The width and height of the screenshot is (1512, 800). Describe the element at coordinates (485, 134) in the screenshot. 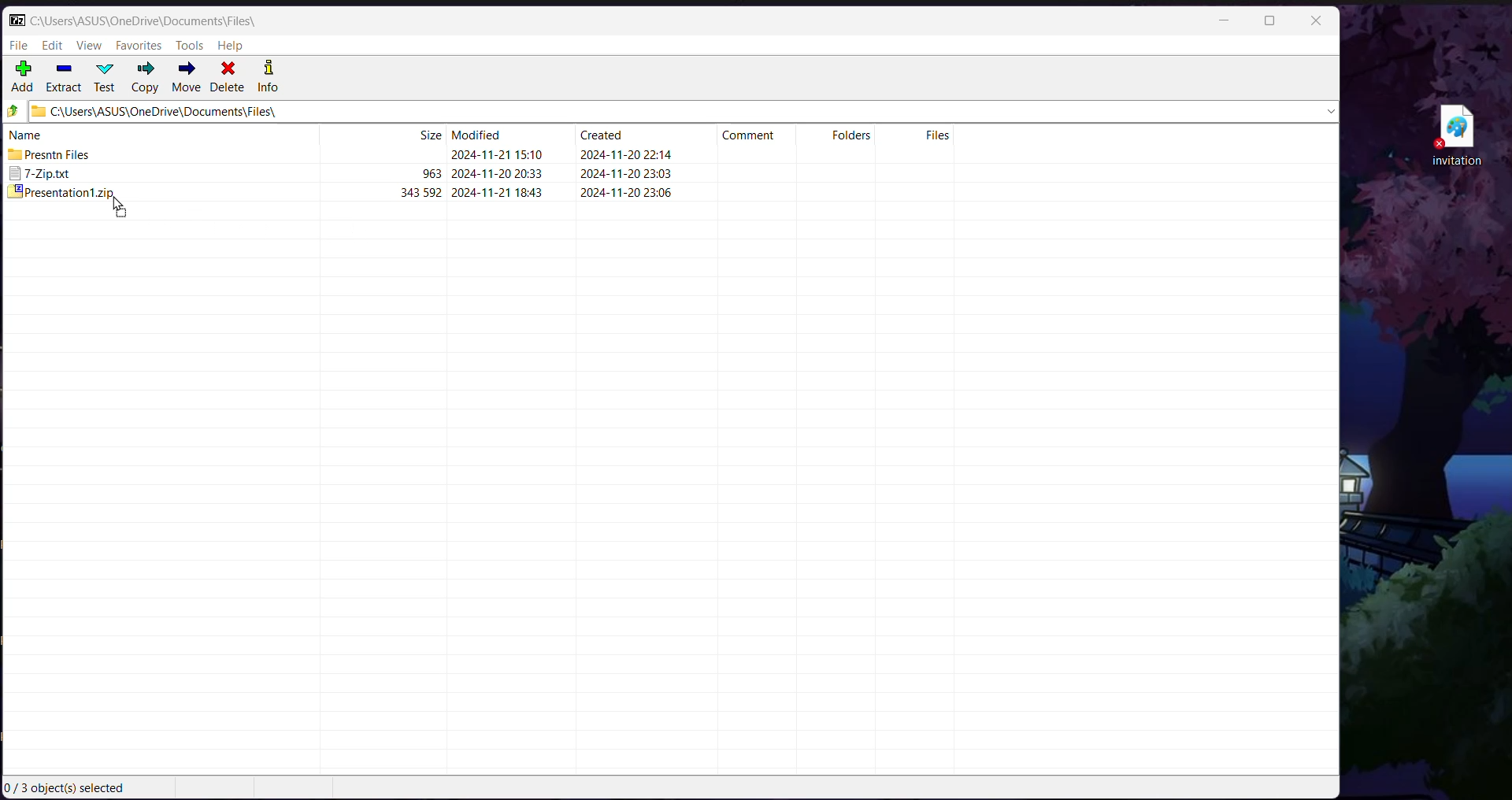

I see `Modified` at that location.